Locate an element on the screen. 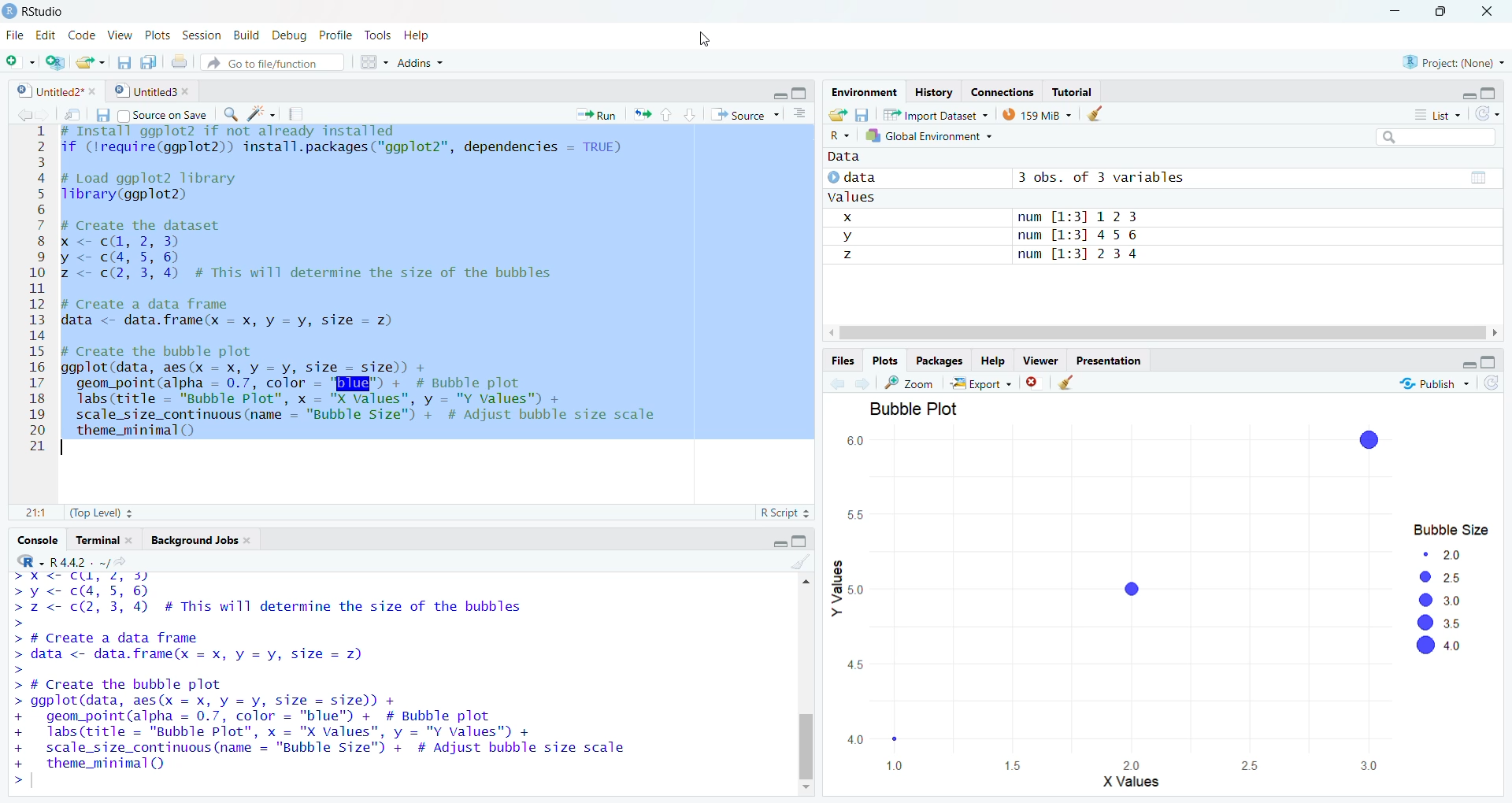  up/down is located at coordinates (675, 115).